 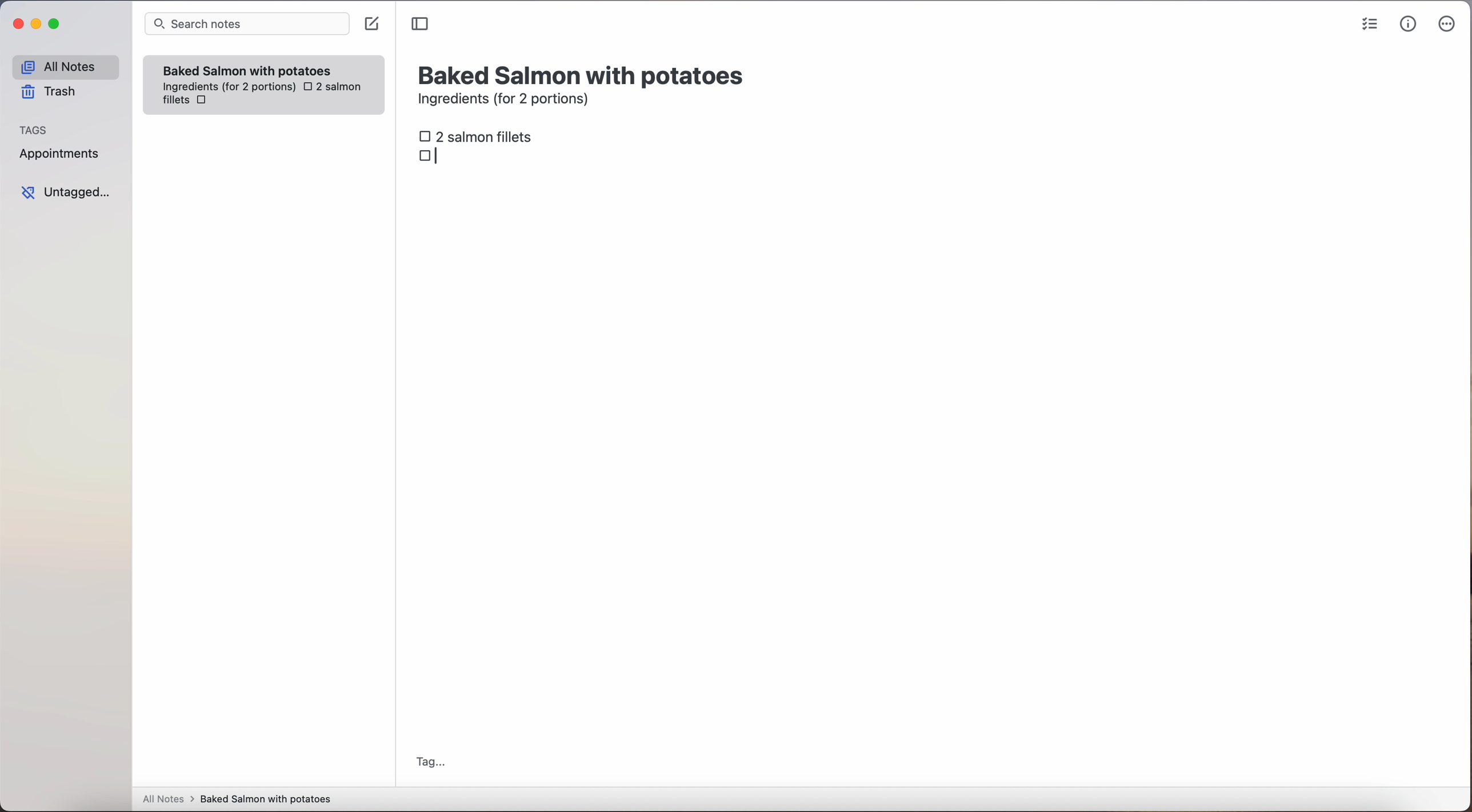 What do you see at coordinates (34, 129) in the screenshot?
I see `tags` at bounding box center [34, 129].